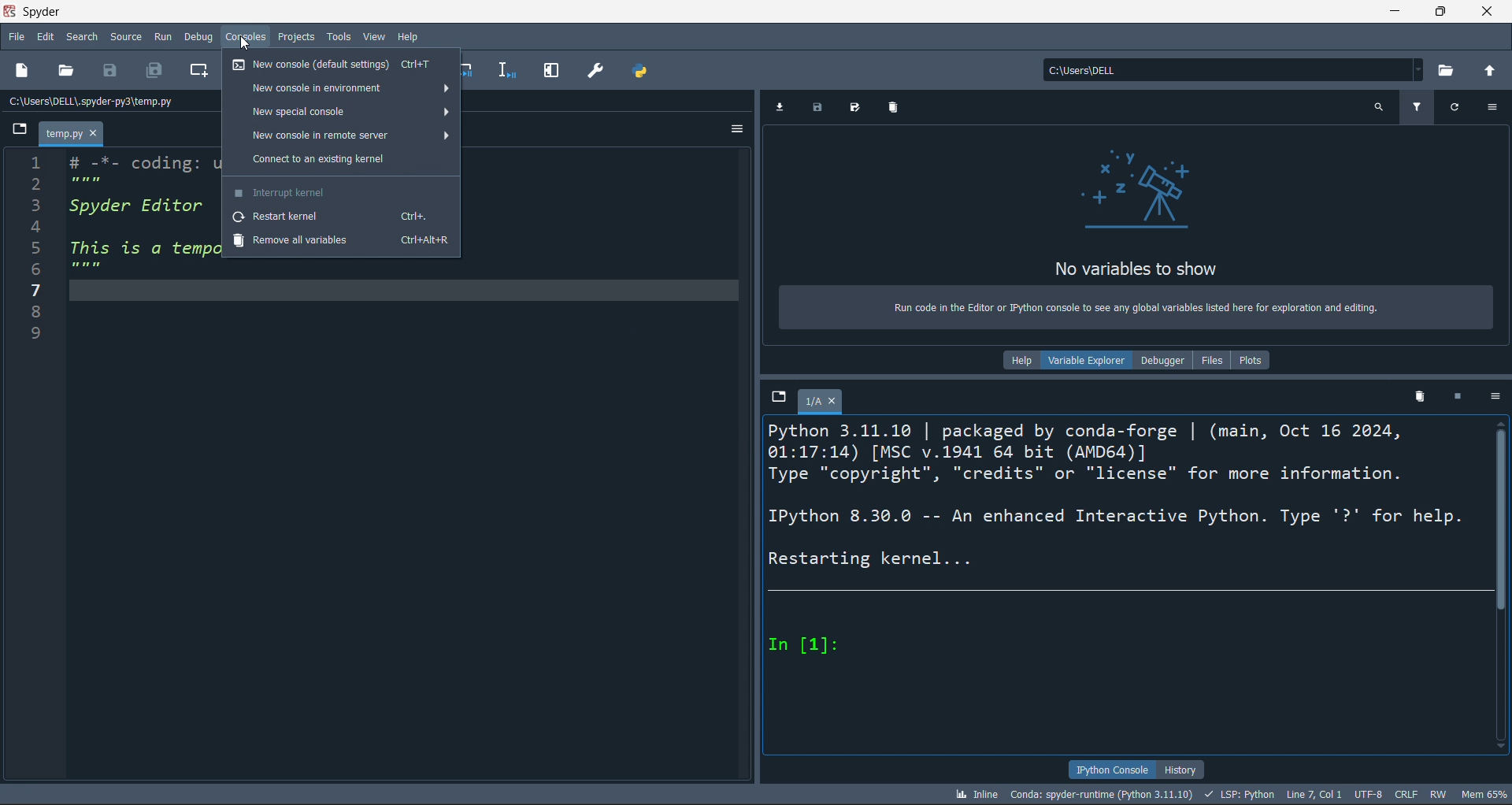 This screenshot has height=805, width=1512. Describe the element at coordinates (96, 104) in the screenshot. I see `c:\users\dell\.spyder-py3\temp.py` at that location.